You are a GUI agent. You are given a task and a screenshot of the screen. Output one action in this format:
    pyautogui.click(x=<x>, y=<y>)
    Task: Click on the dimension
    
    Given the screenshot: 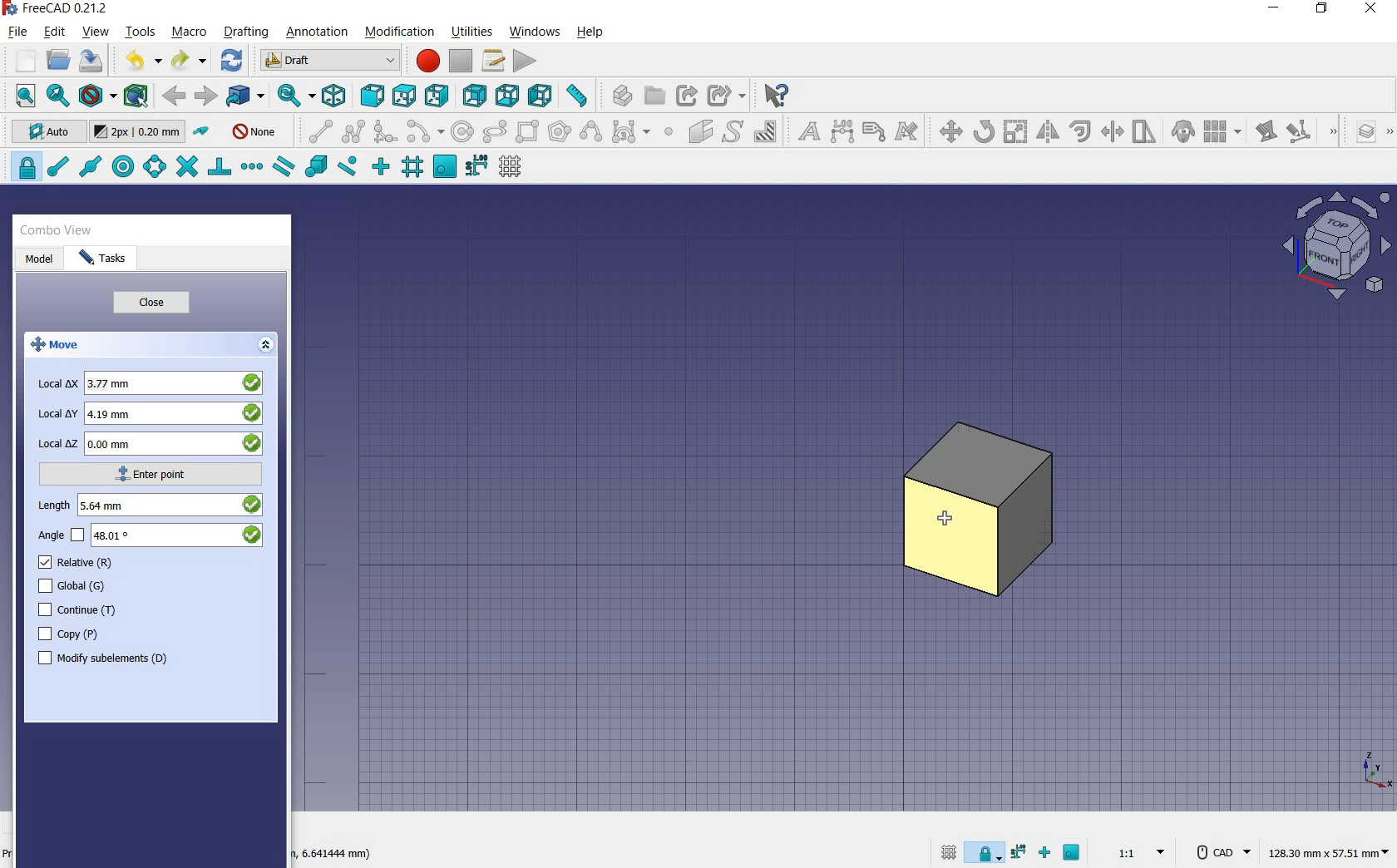 What is the action you would take?
    pyautogui.click(x=1328, y=851)
    